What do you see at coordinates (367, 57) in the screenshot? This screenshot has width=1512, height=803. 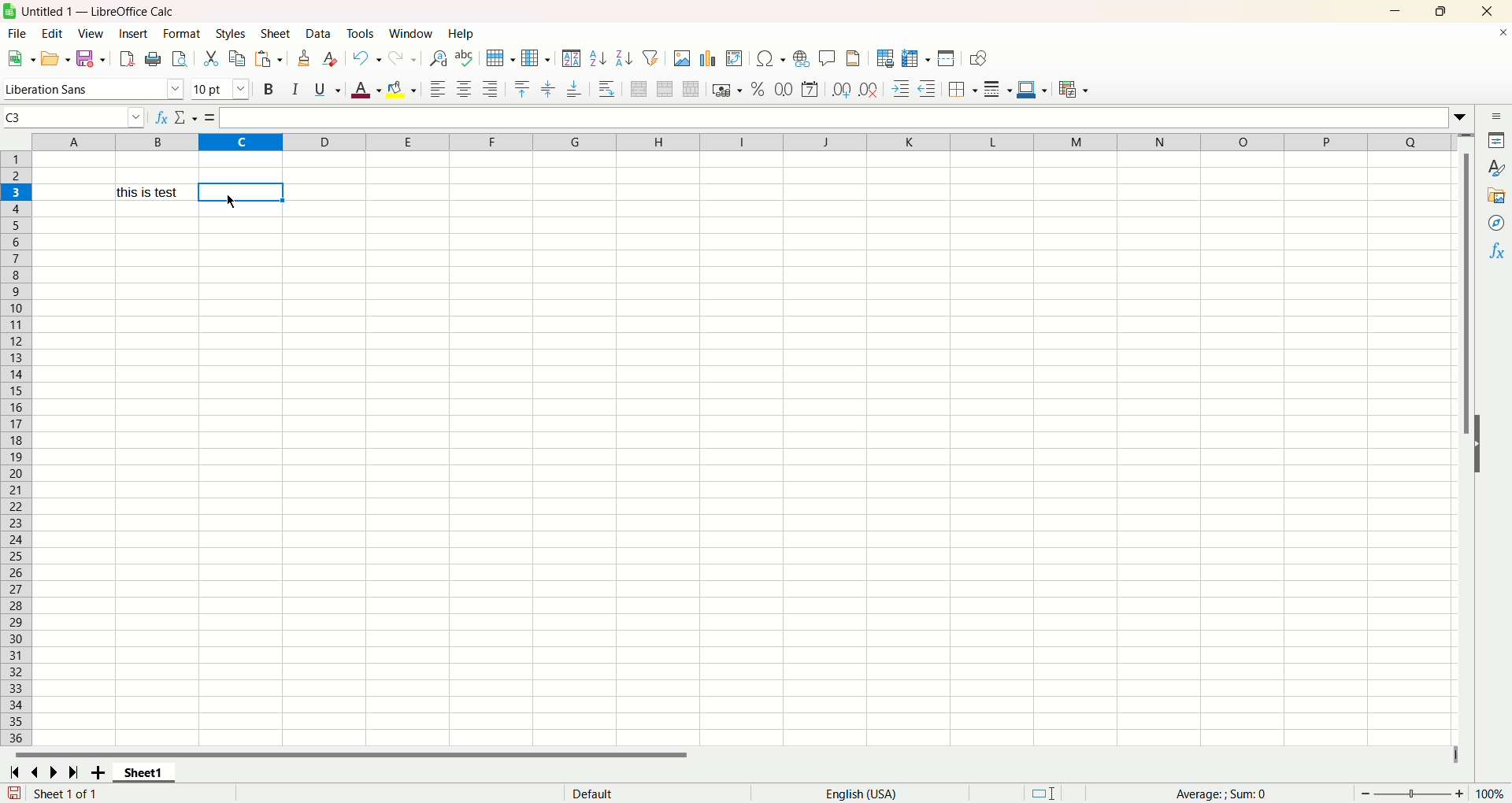 I see `undo` at bounding box center [367, 57].